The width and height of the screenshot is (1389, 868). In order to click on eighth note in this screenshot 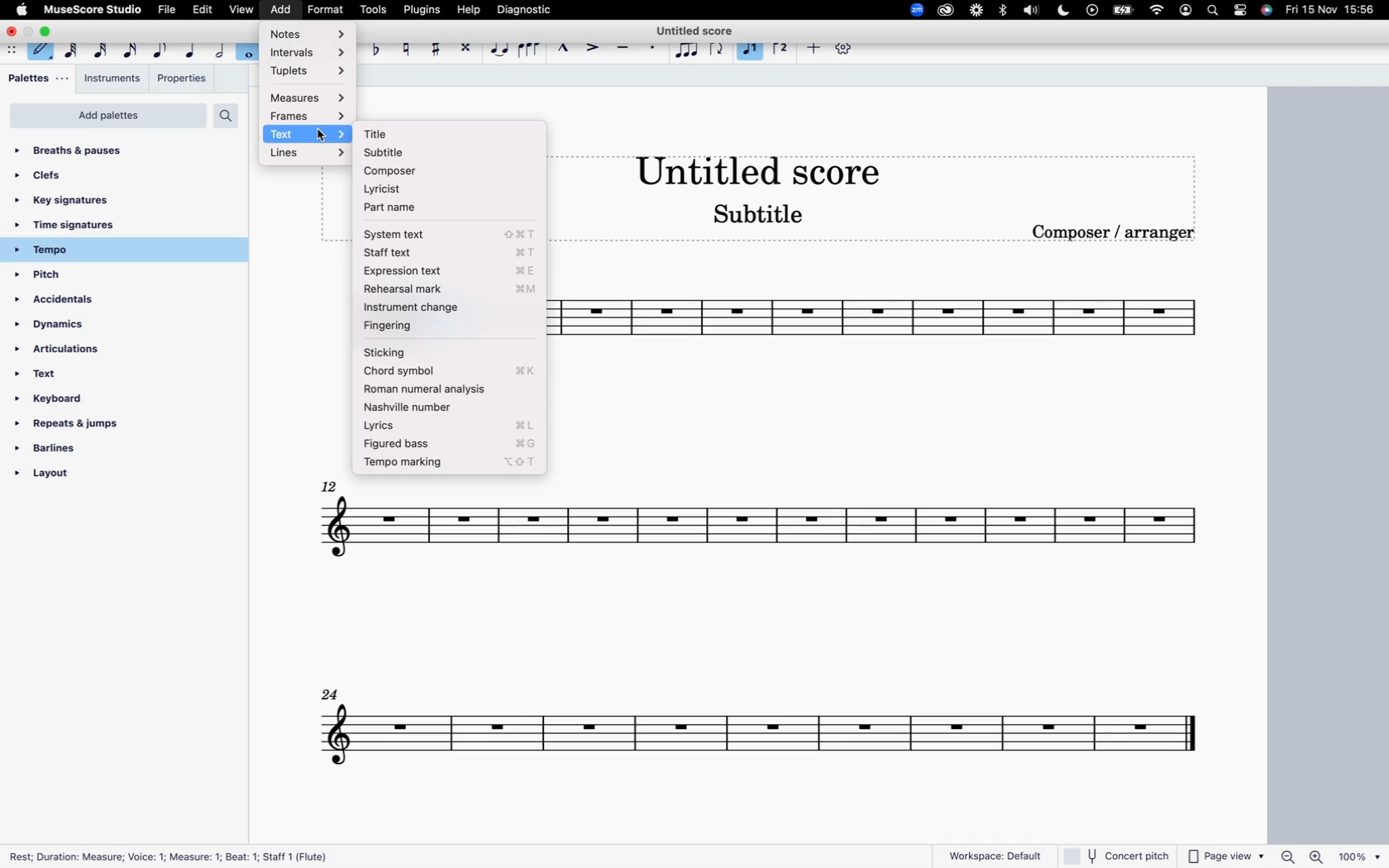, I will do `click(161, 47)`.